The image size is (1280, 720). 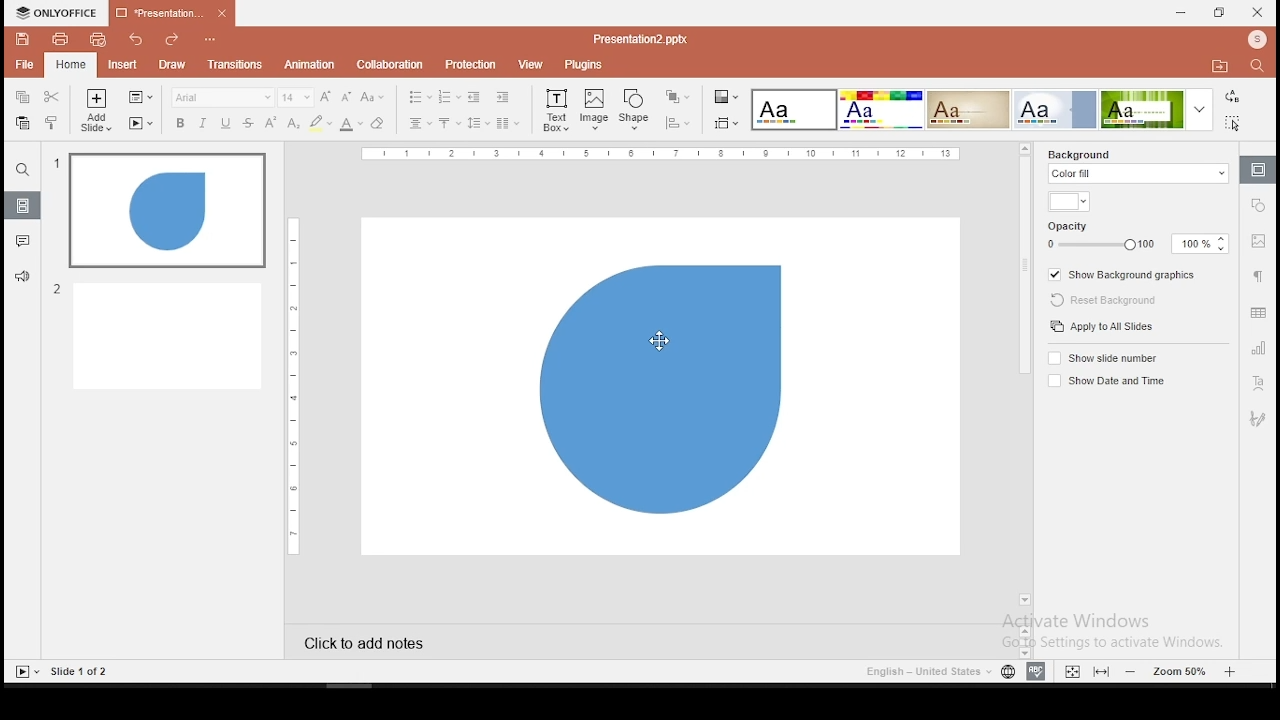 I want to click on subscript, so click(x=294, y=123).